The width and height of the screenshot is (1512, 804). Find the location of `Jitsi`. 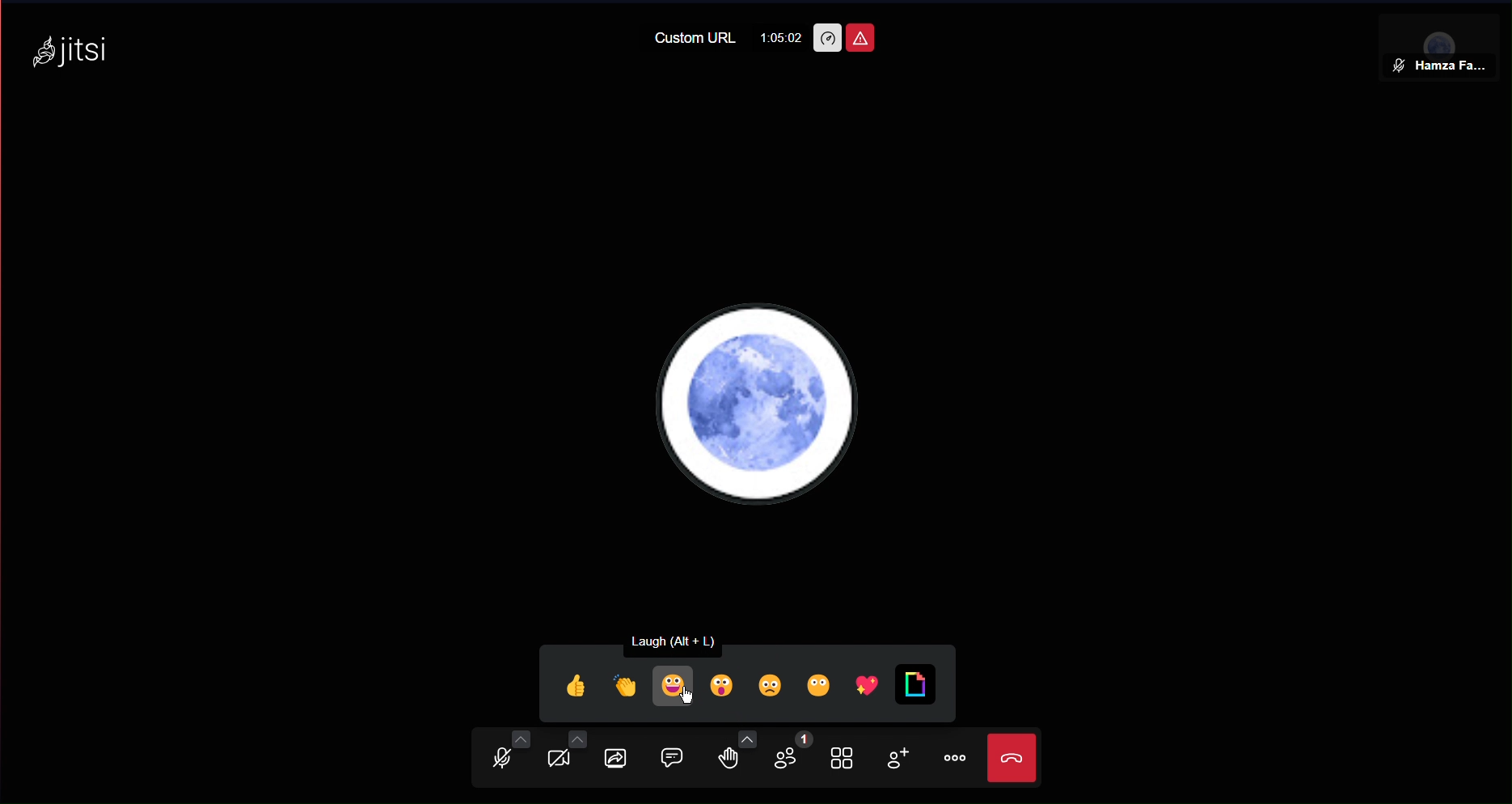

Jitsi is located at coordinates (76, 48).